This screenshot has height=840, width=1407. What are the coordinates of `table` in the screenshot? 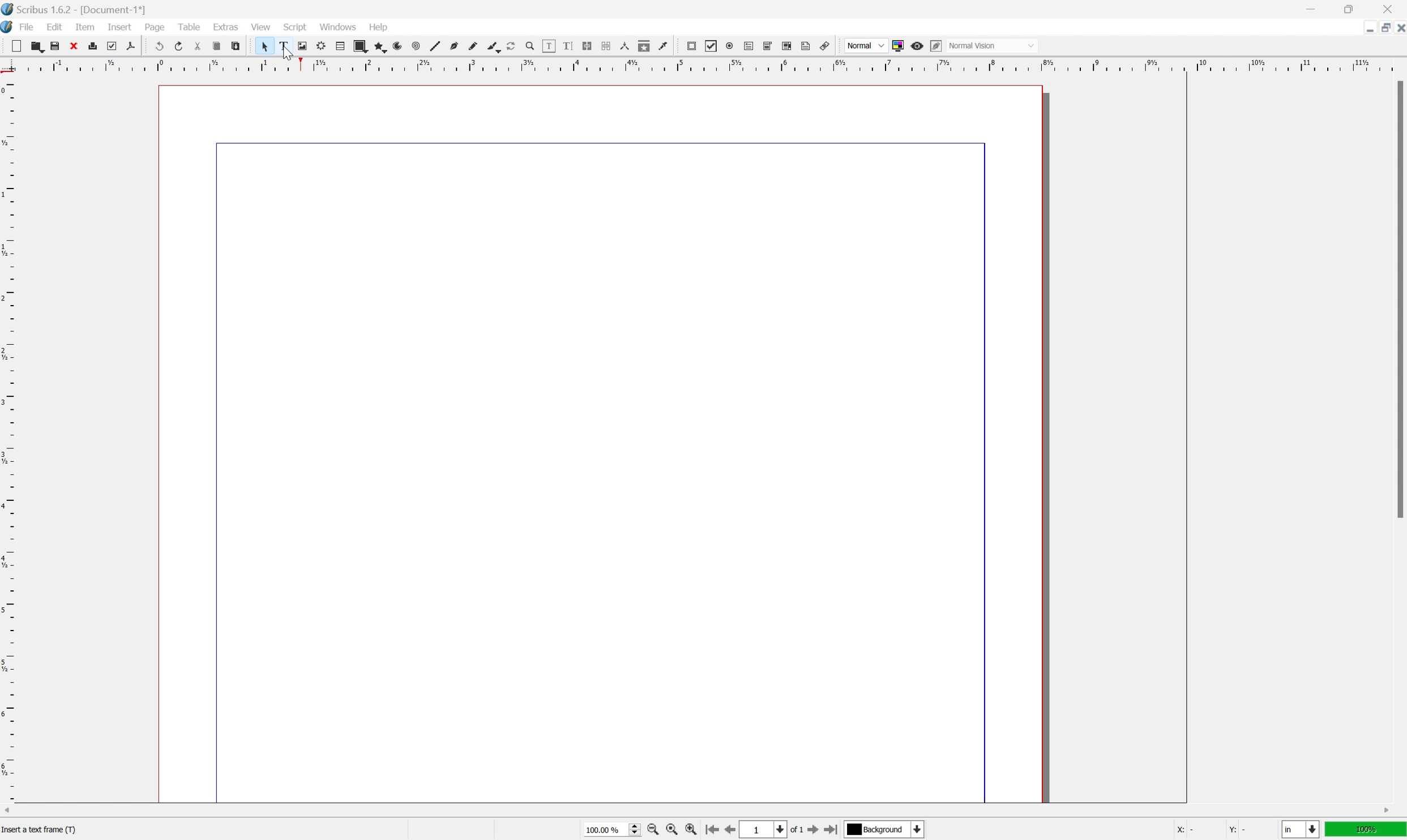 It's located at (189, 27).